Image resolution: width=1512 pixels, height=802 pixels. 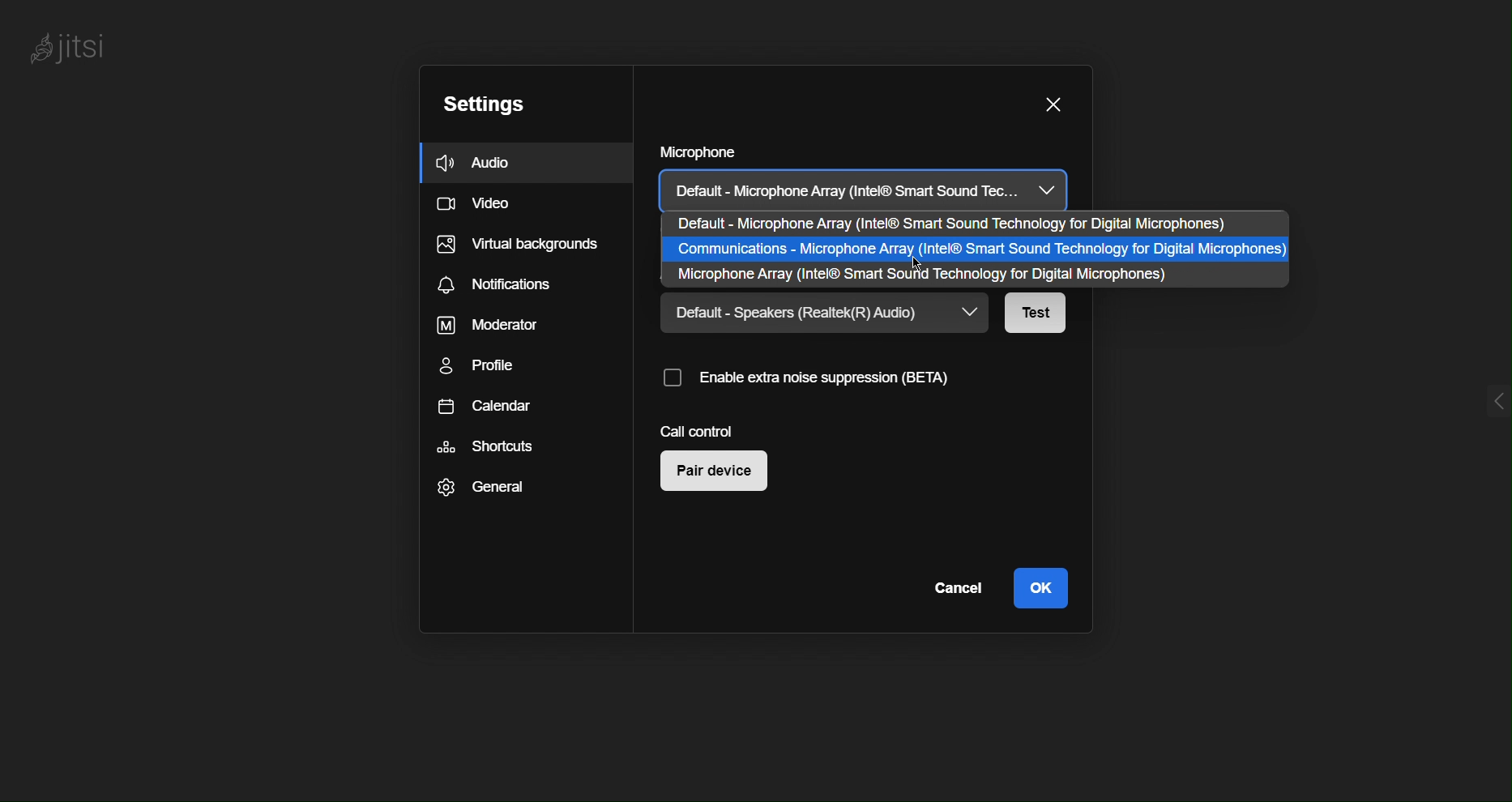 I want to click on Test, so click(x=1034, y=314).